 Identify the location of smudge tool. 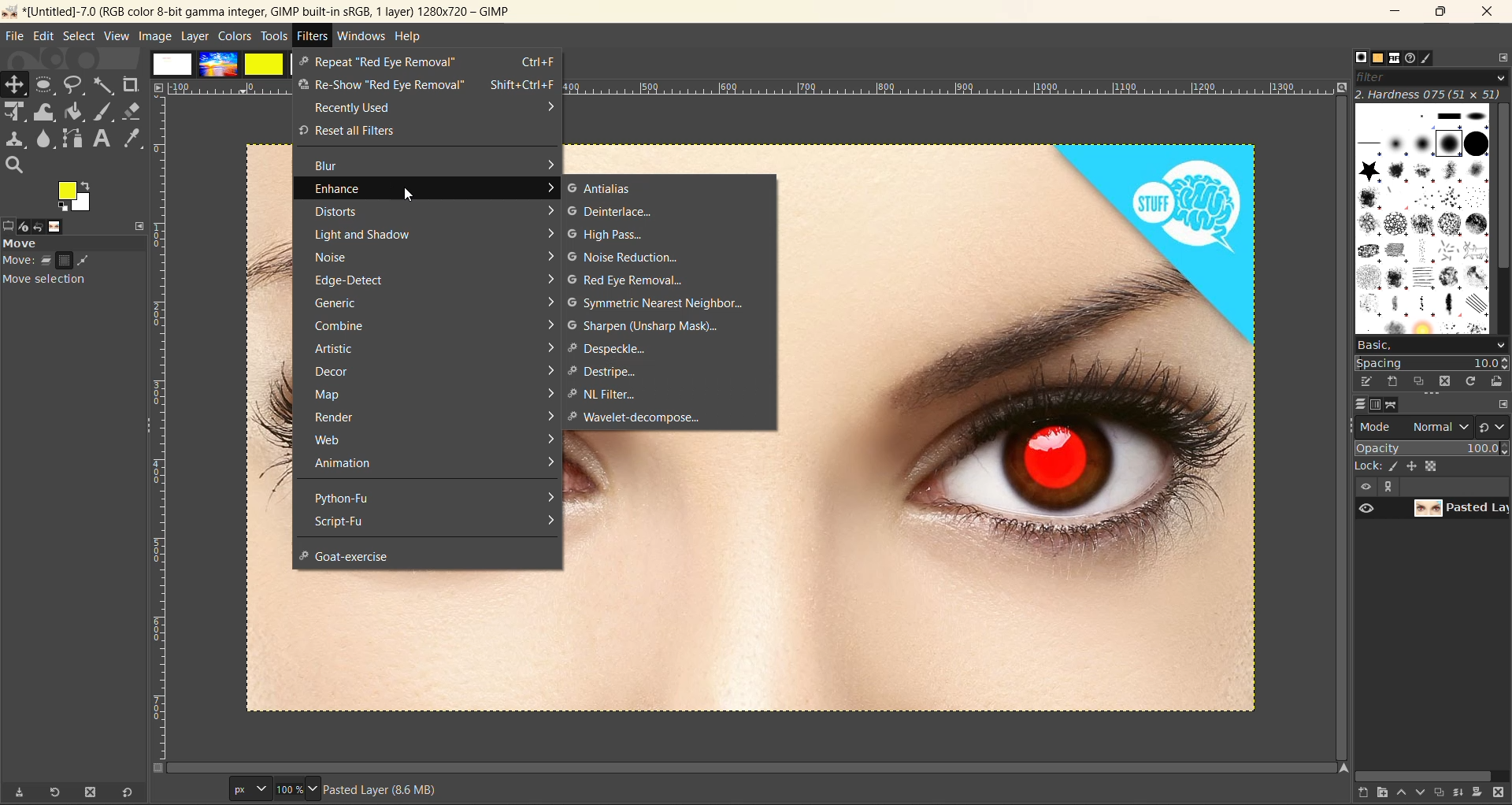
(45, 139).